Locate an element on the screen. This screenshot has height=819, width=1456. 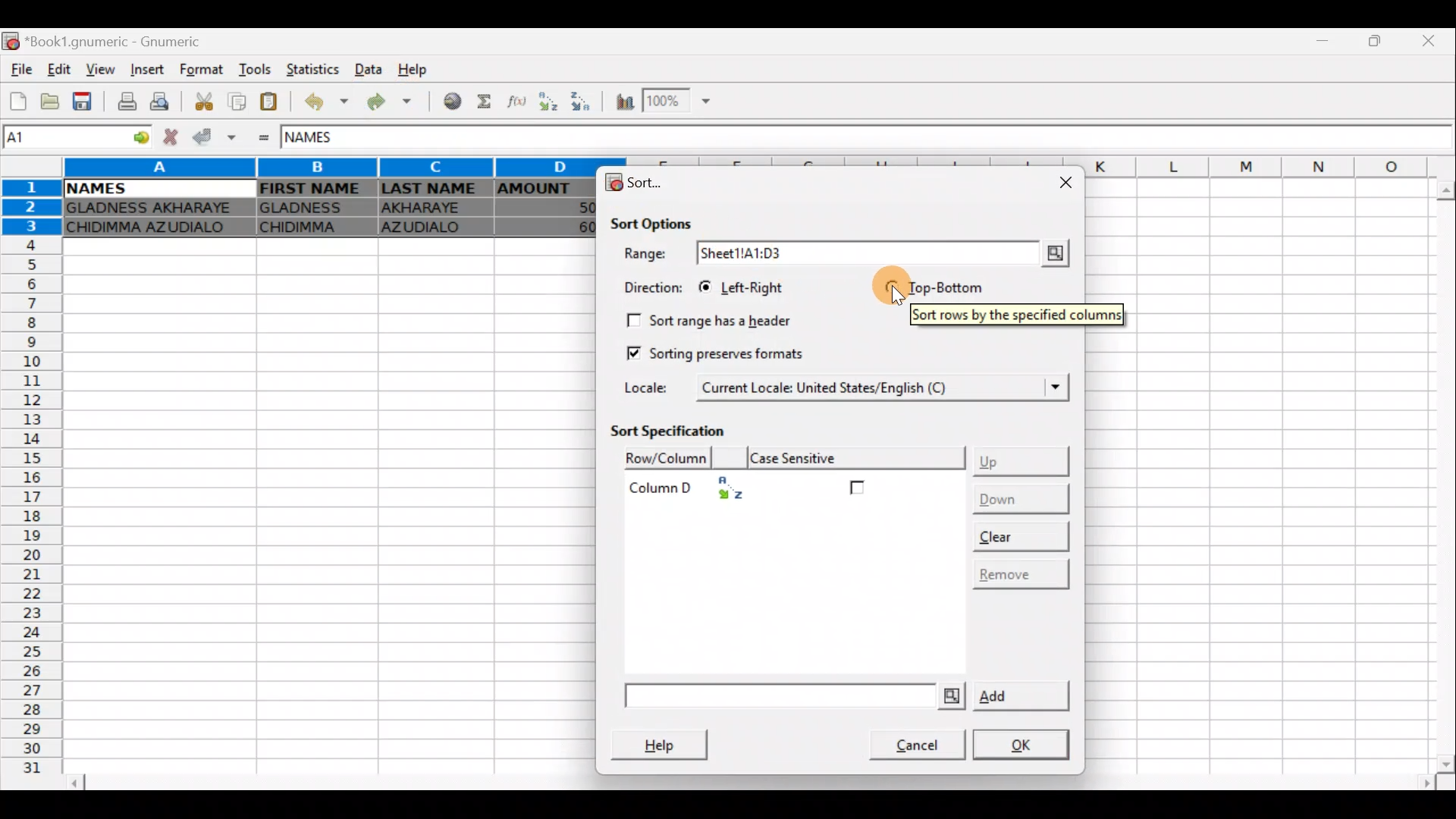
Cell name A1 is located at coordinates (60, 139).